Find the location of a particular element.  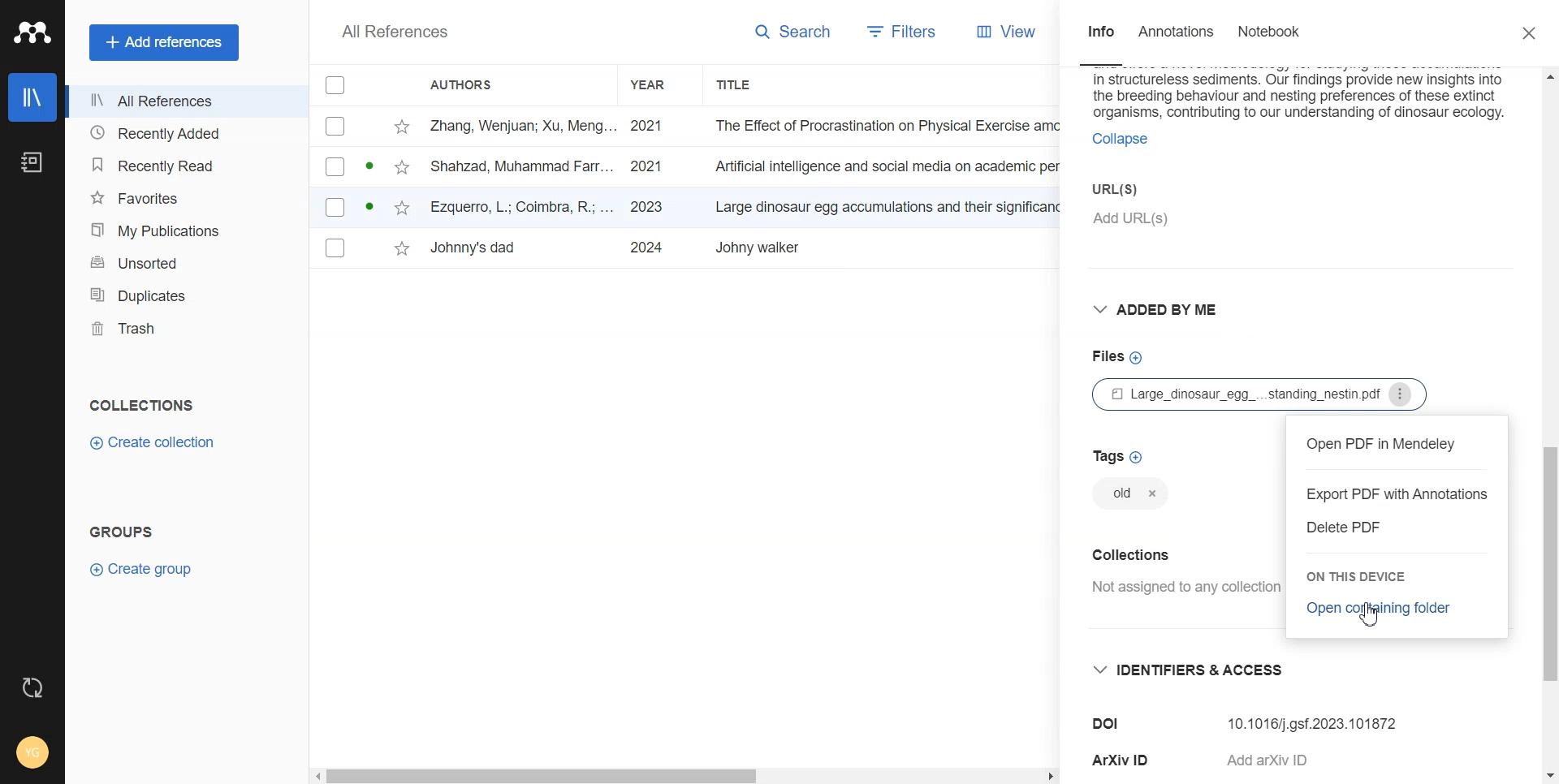

Favorites is located at coordinates (179, 196).